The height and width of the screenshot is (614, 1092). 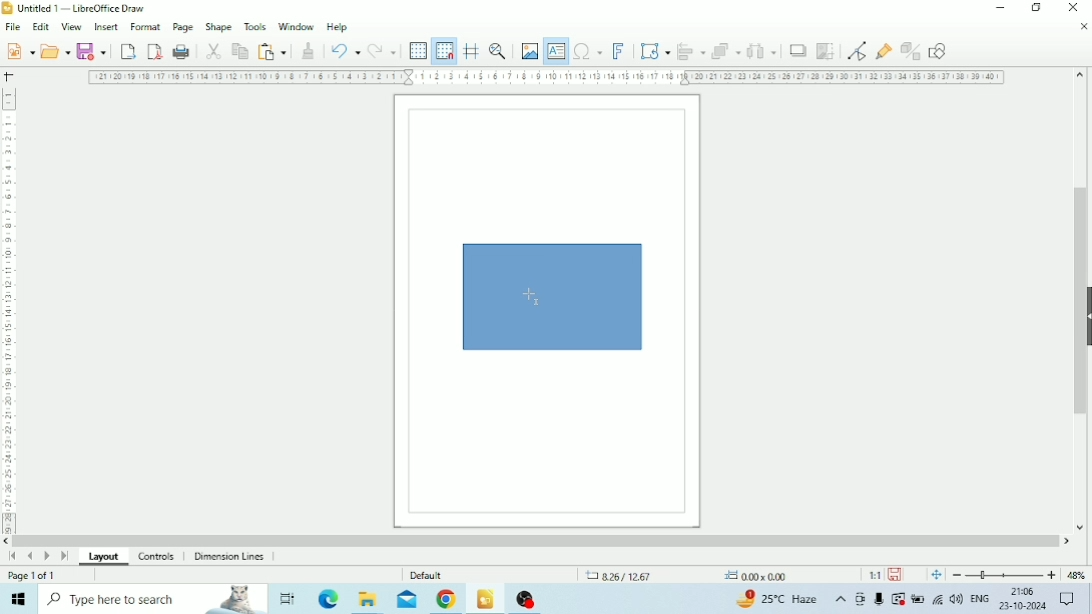 What do you see at coordinates (980, 597) in the screenshot?
I see `Language` at bounding box center [980, 597].